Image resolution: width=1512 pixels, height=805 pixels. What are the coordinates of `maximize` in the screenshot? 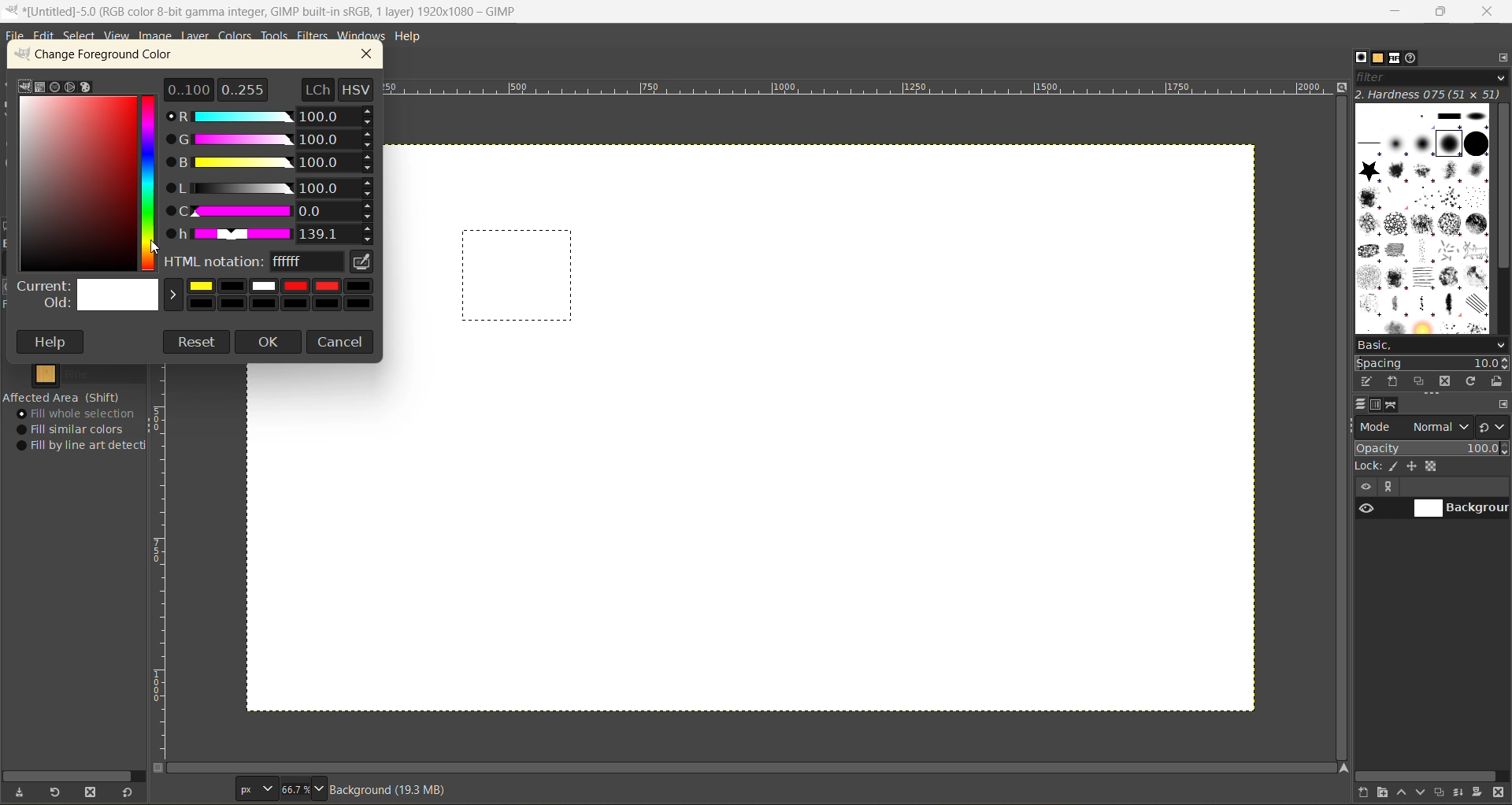 It's located at (1441, 14).